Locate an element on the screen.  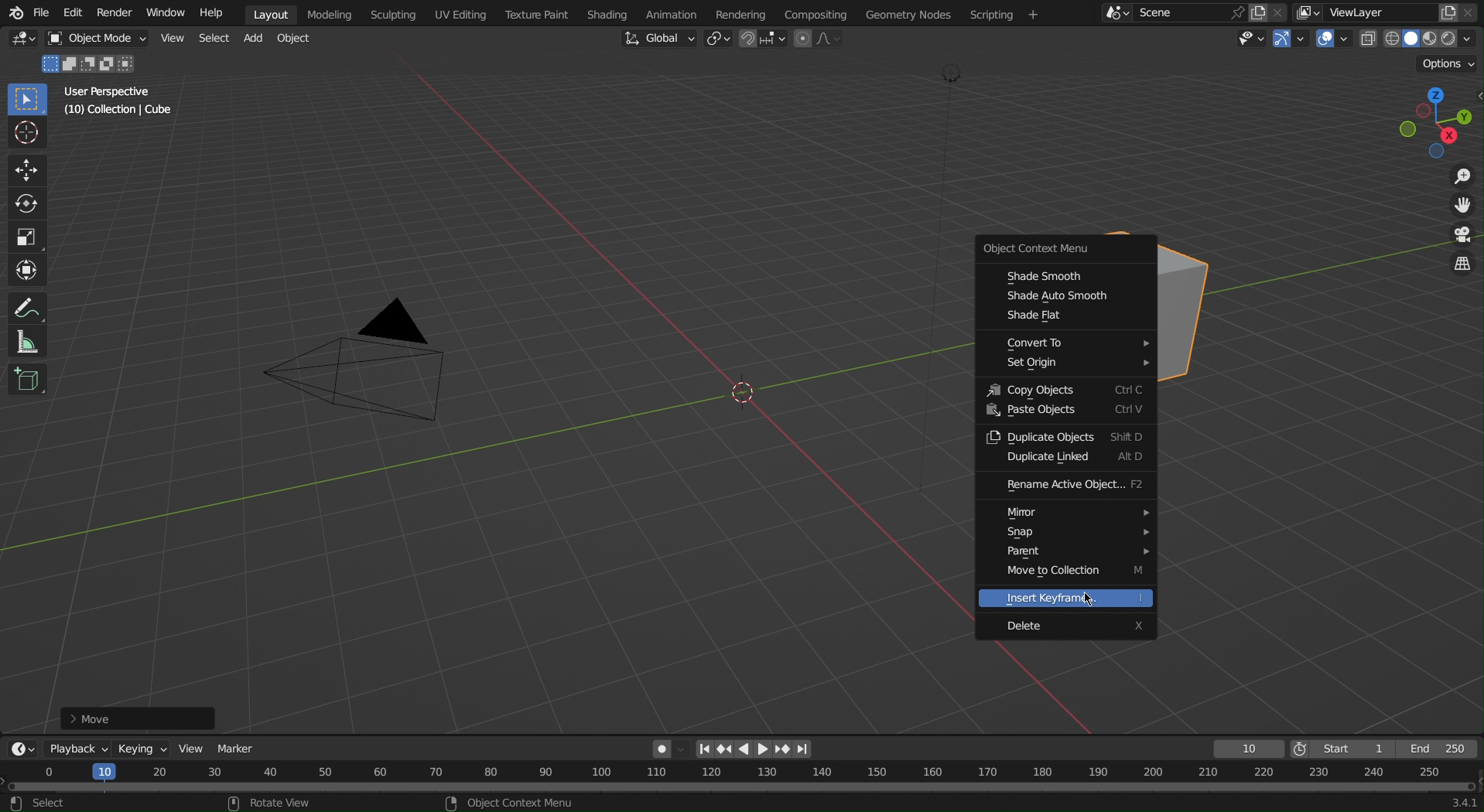
Select is located at coordinates (214, 39).